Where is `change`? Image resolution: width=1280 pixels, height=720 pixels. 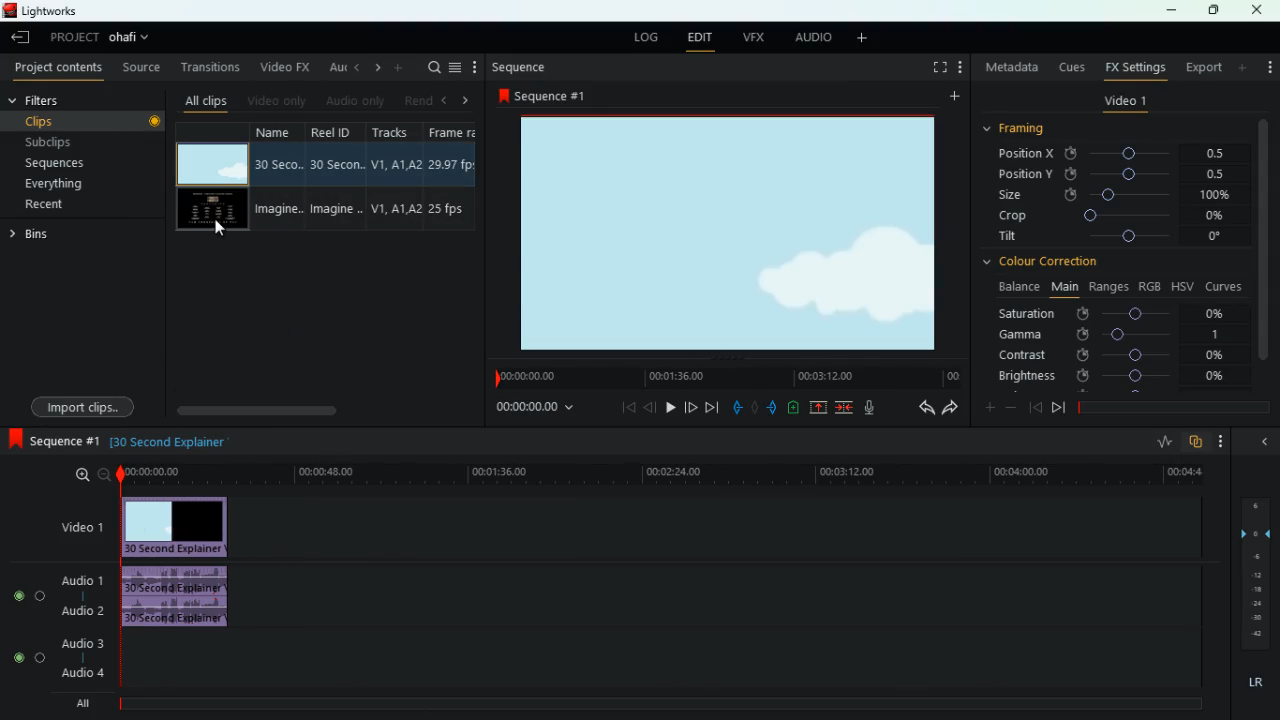 change is located at coordinates (374, 68).